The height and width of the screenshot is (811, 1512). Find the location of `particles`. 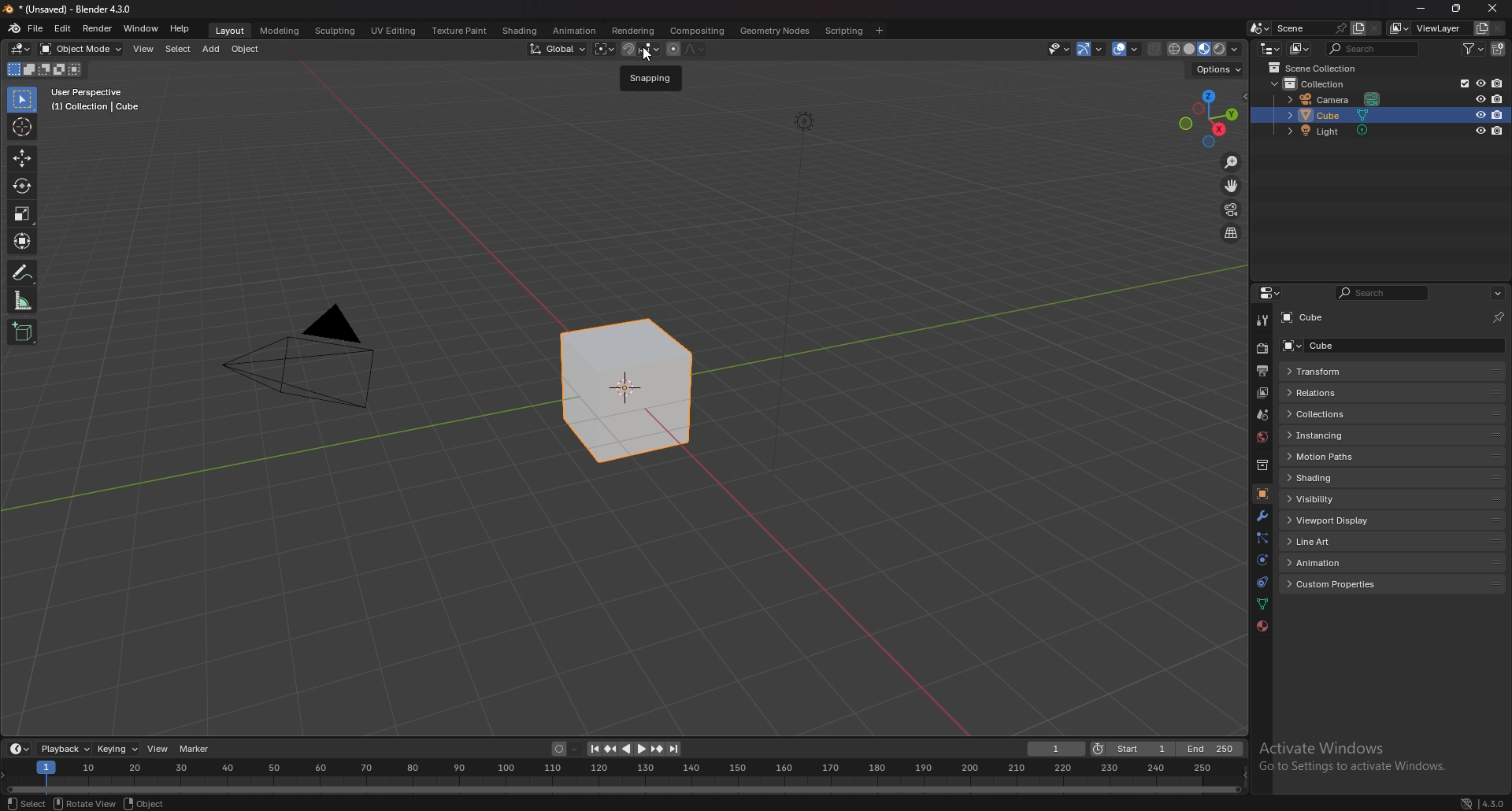

particles is located at coordinates (1261, 537).